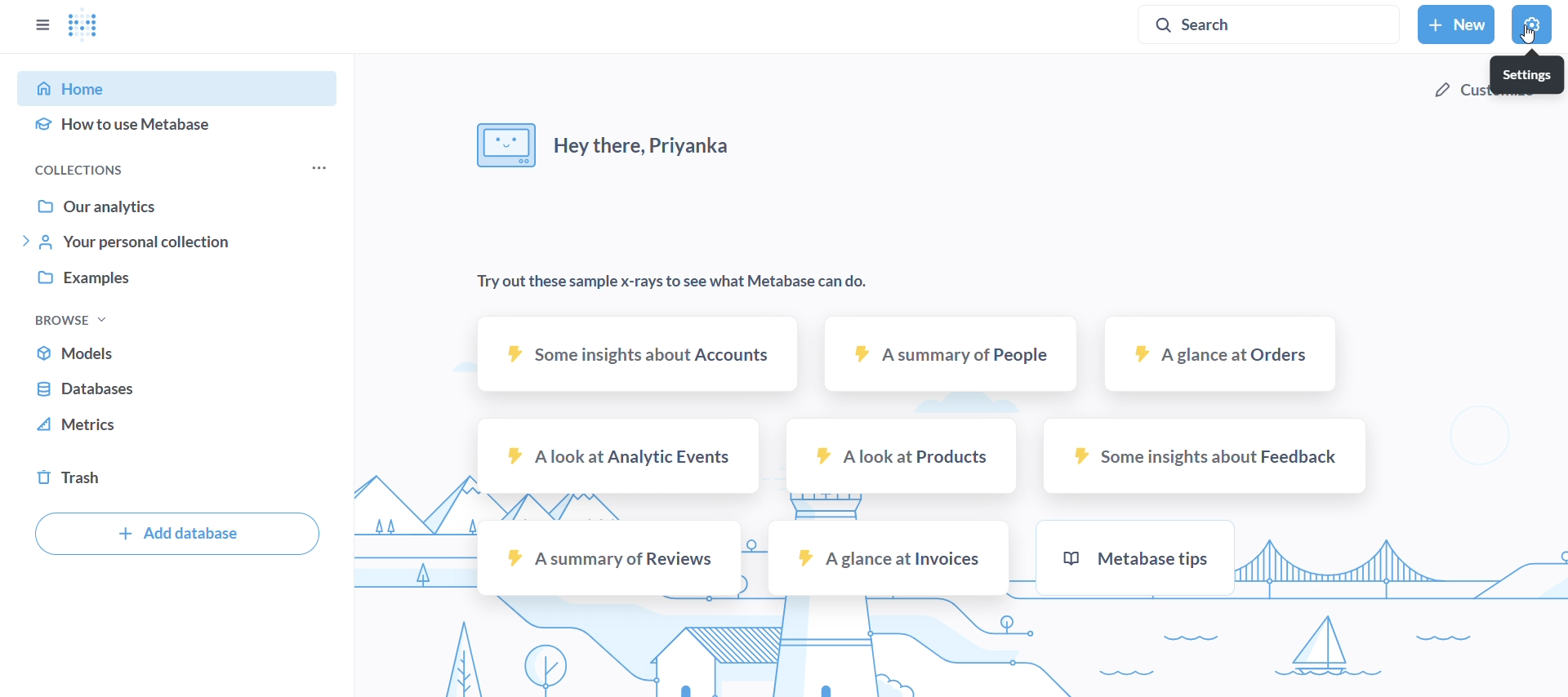  I want to click on more, so click(317, 170).